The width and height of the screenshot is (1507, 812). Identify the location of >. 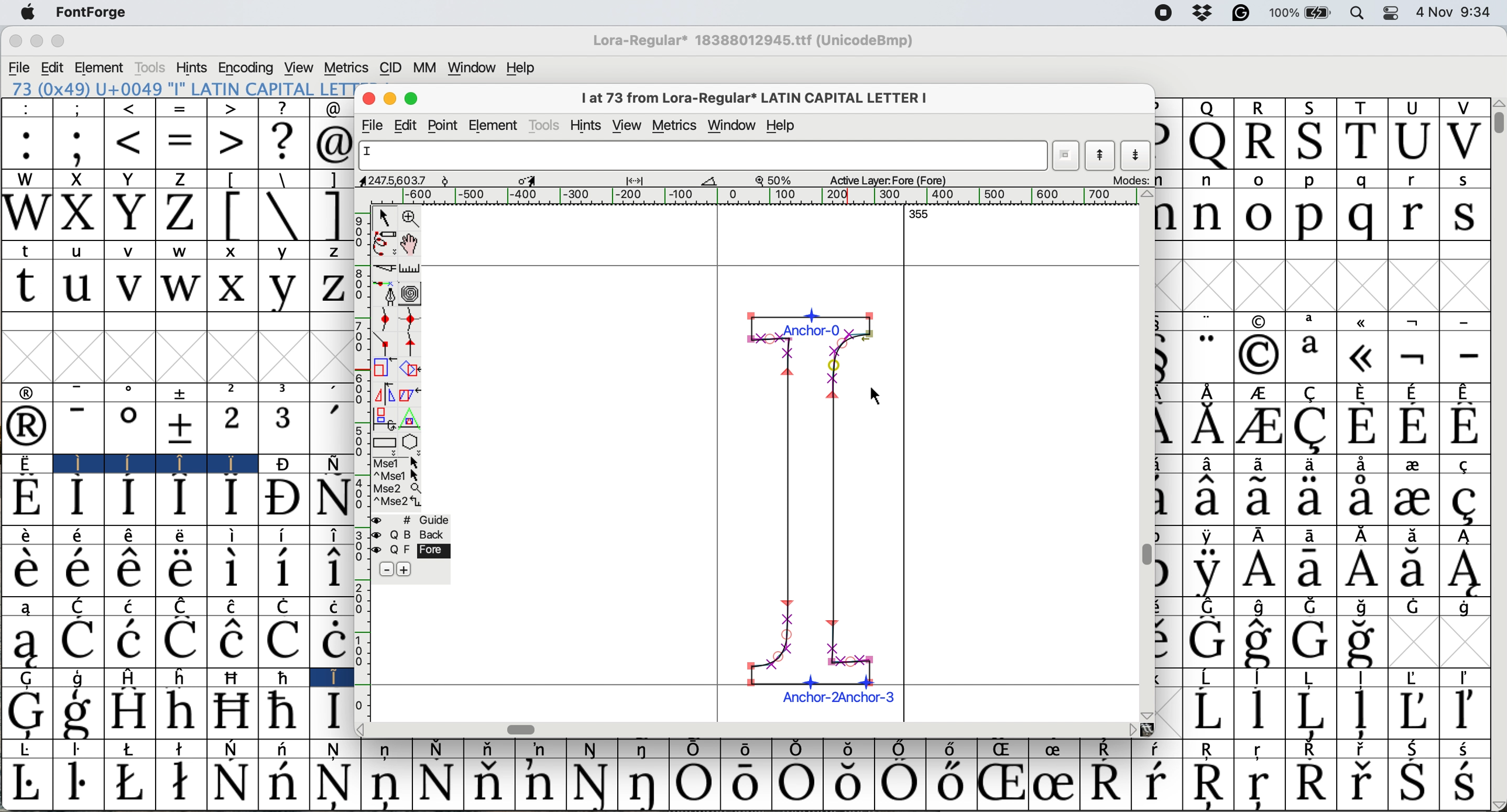
(229, 109).